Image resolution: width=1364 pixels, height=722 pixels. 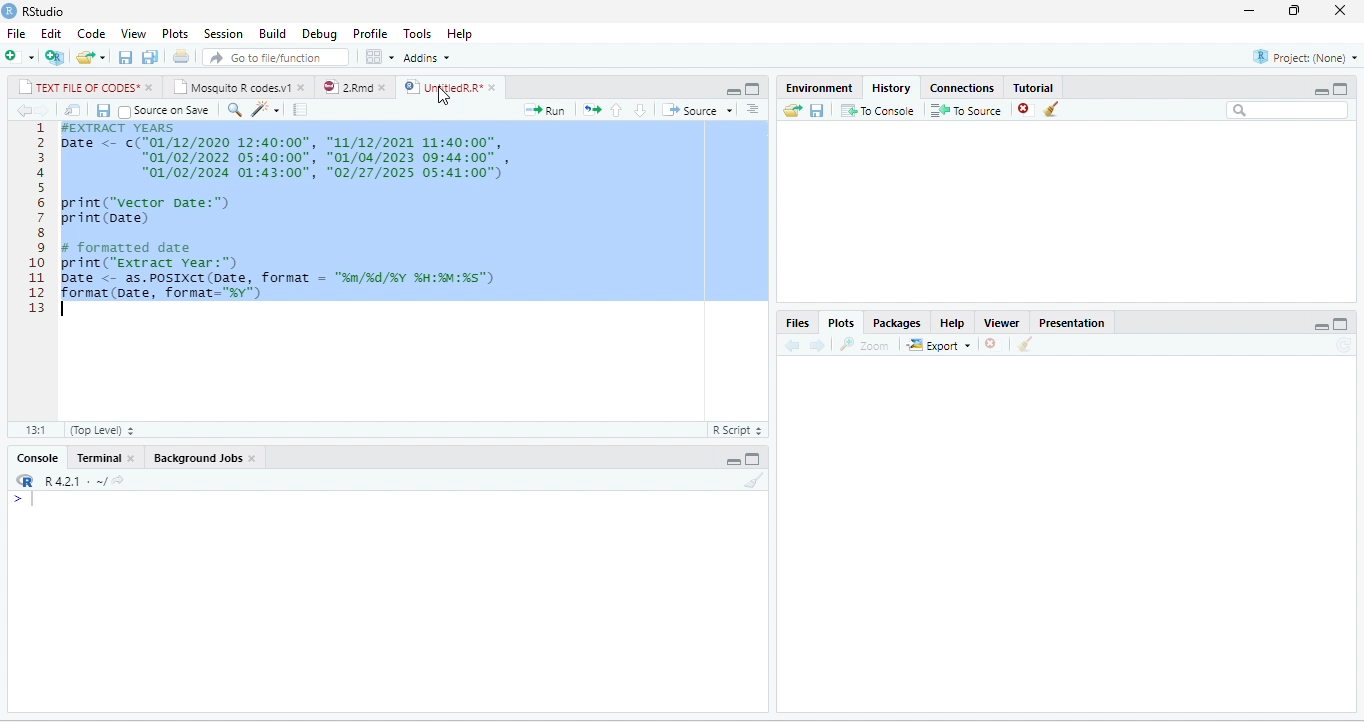 What do you see at coordinates (1294, 11) in the screenshot?
I see `resize` at bounding box center [1294, 11].